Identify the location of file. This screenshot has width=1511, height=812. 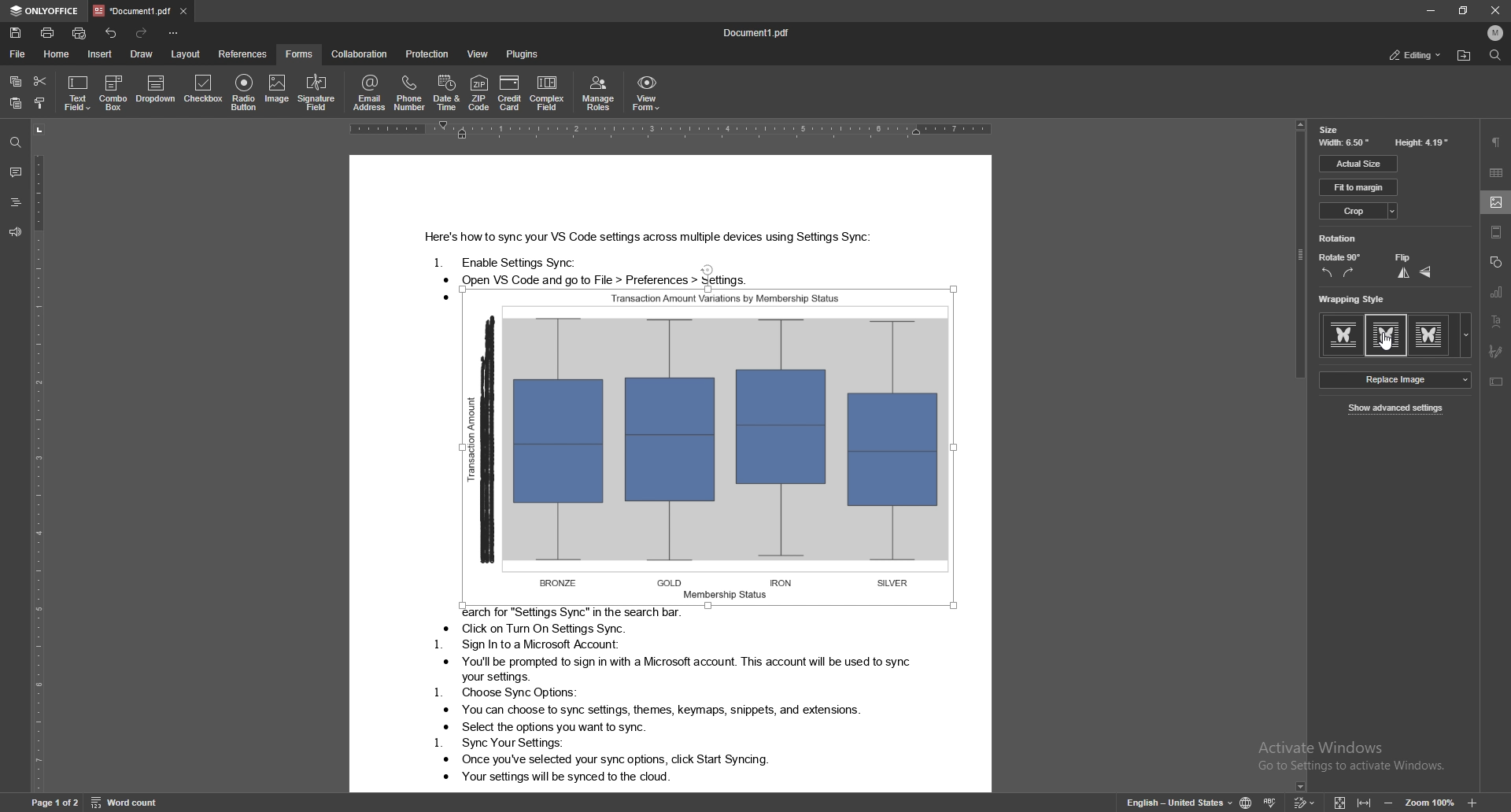
(19, 54).